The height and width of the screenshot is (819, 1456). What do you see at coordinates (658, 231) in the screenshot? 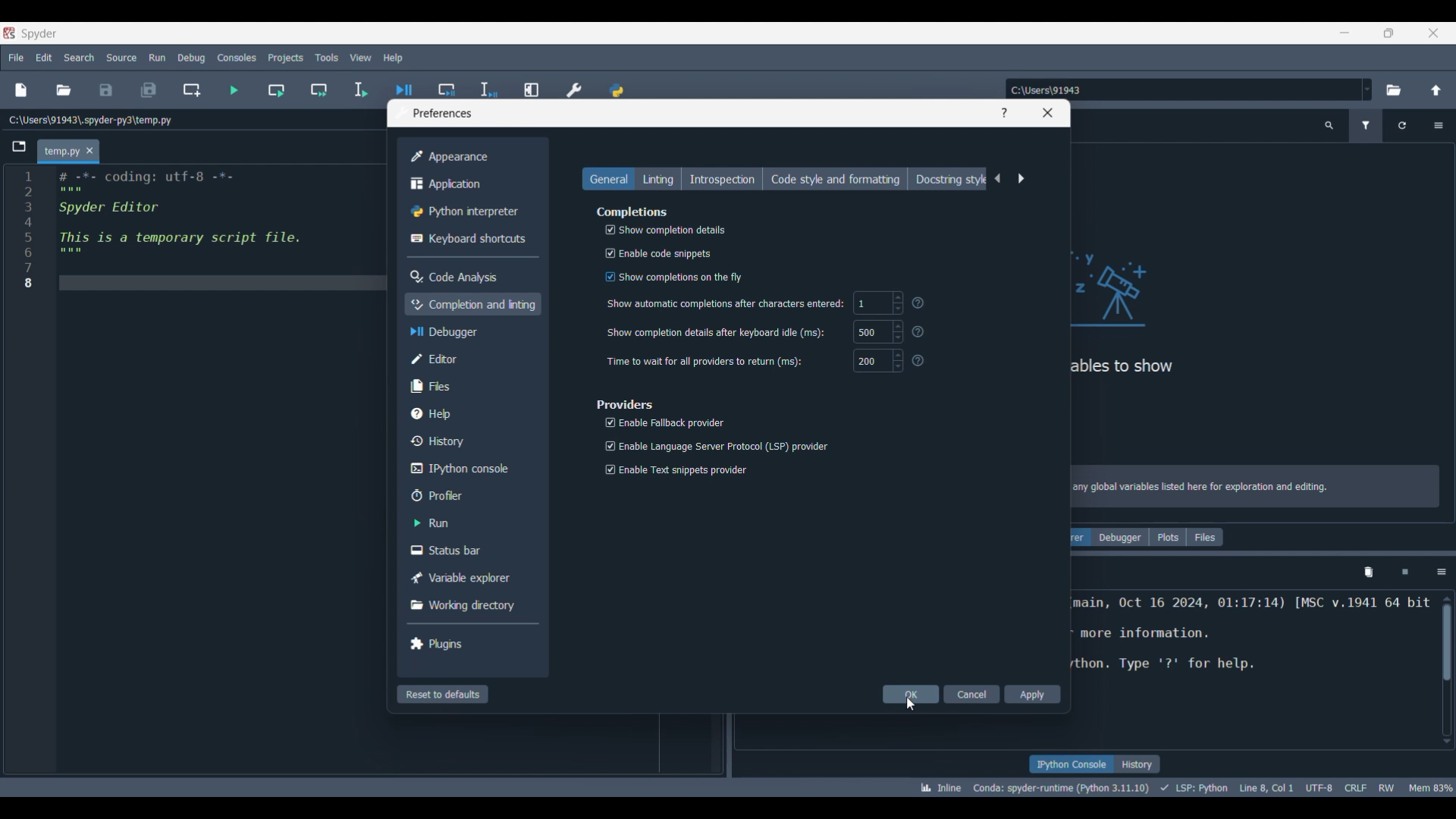
I see `Show completion details` at bounding box center [658, 231].